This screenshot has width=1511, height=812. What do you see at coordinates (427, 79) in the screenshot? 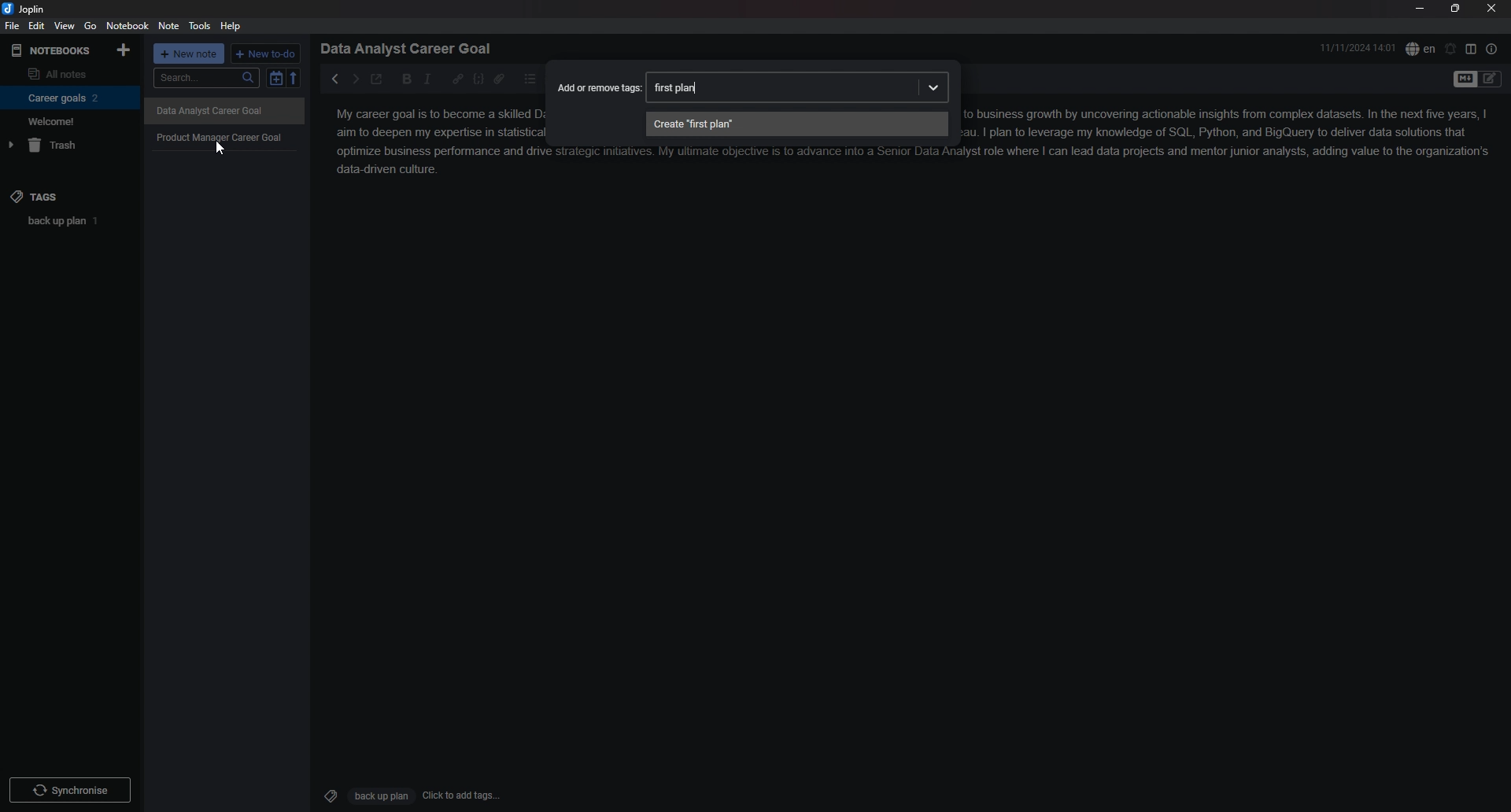
I see `italic` at bounding box center [427, 79].